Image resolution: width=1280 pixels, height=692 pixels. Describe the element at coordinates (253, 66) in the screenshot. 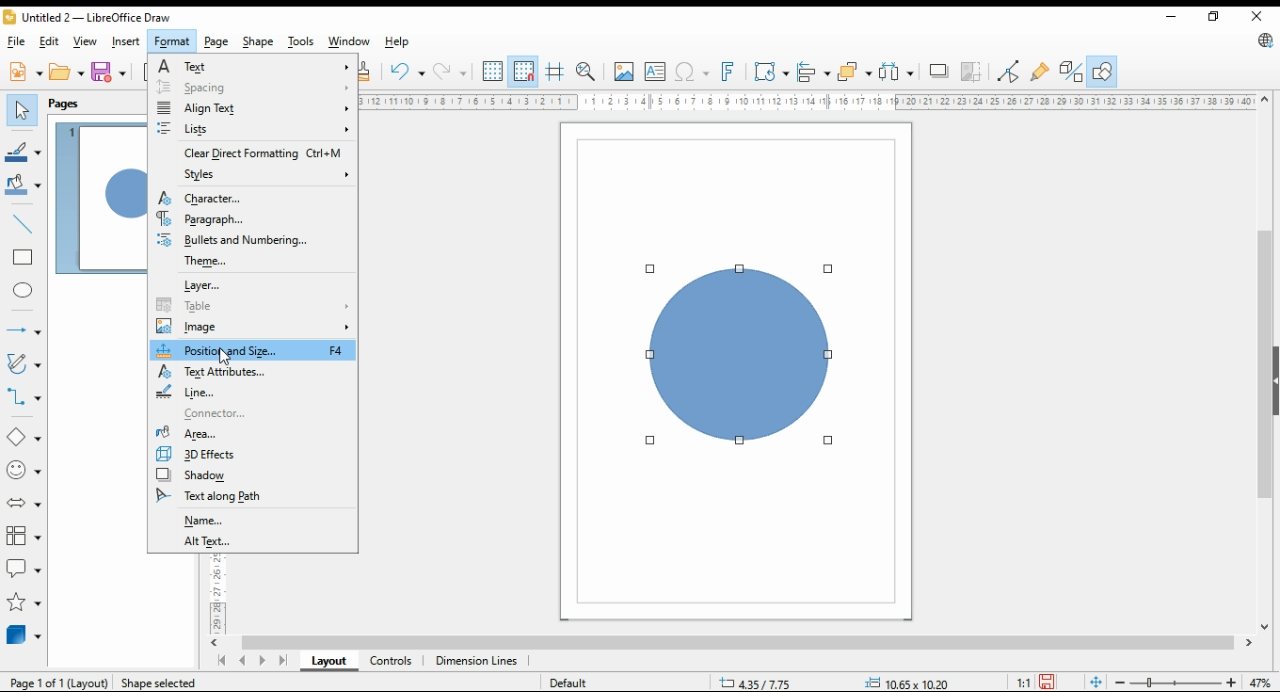

I see `text` at that location.